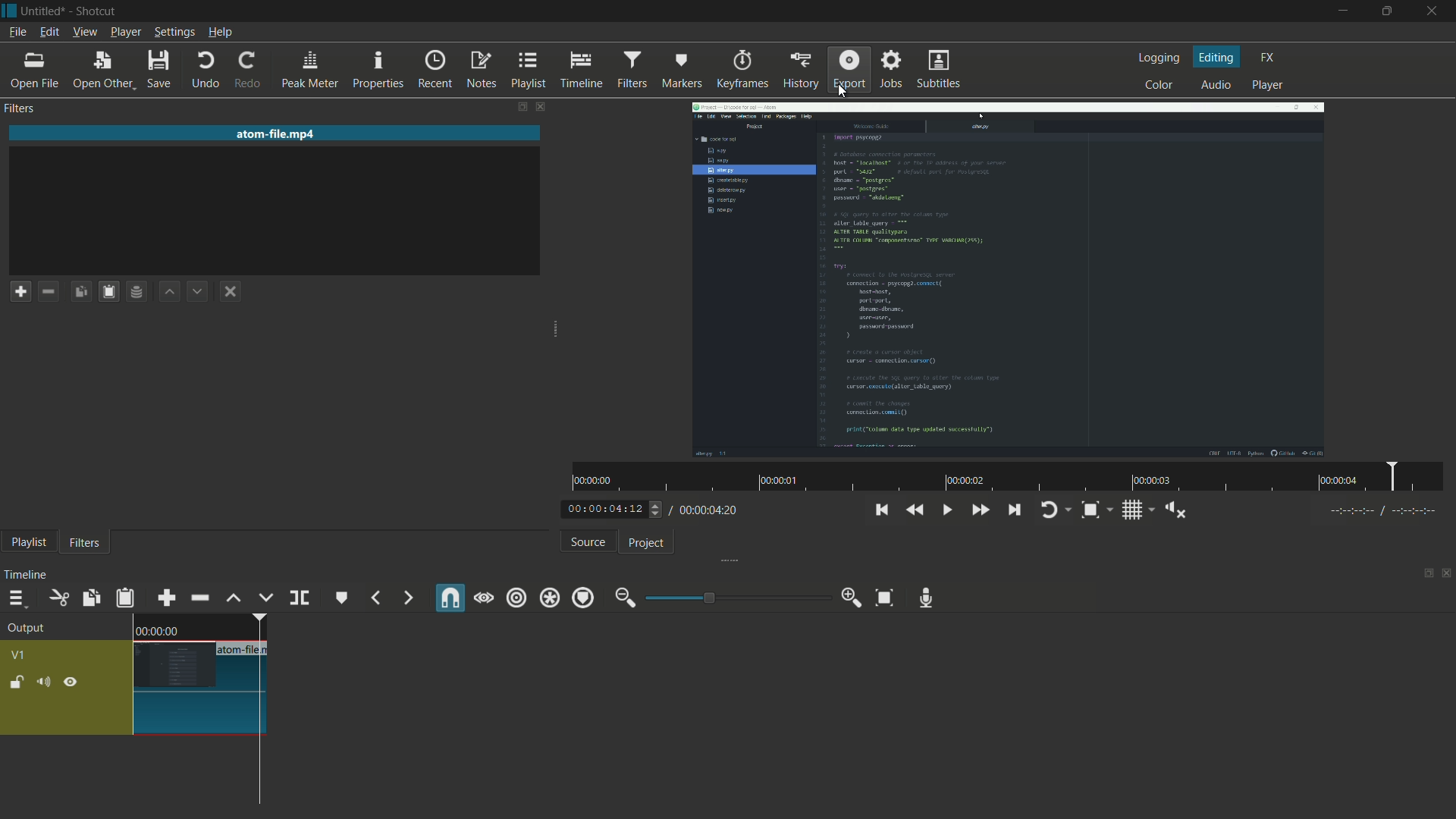 The height and width of the screenshot is (819, 1456). I want to click on file name, so click(244, 650).